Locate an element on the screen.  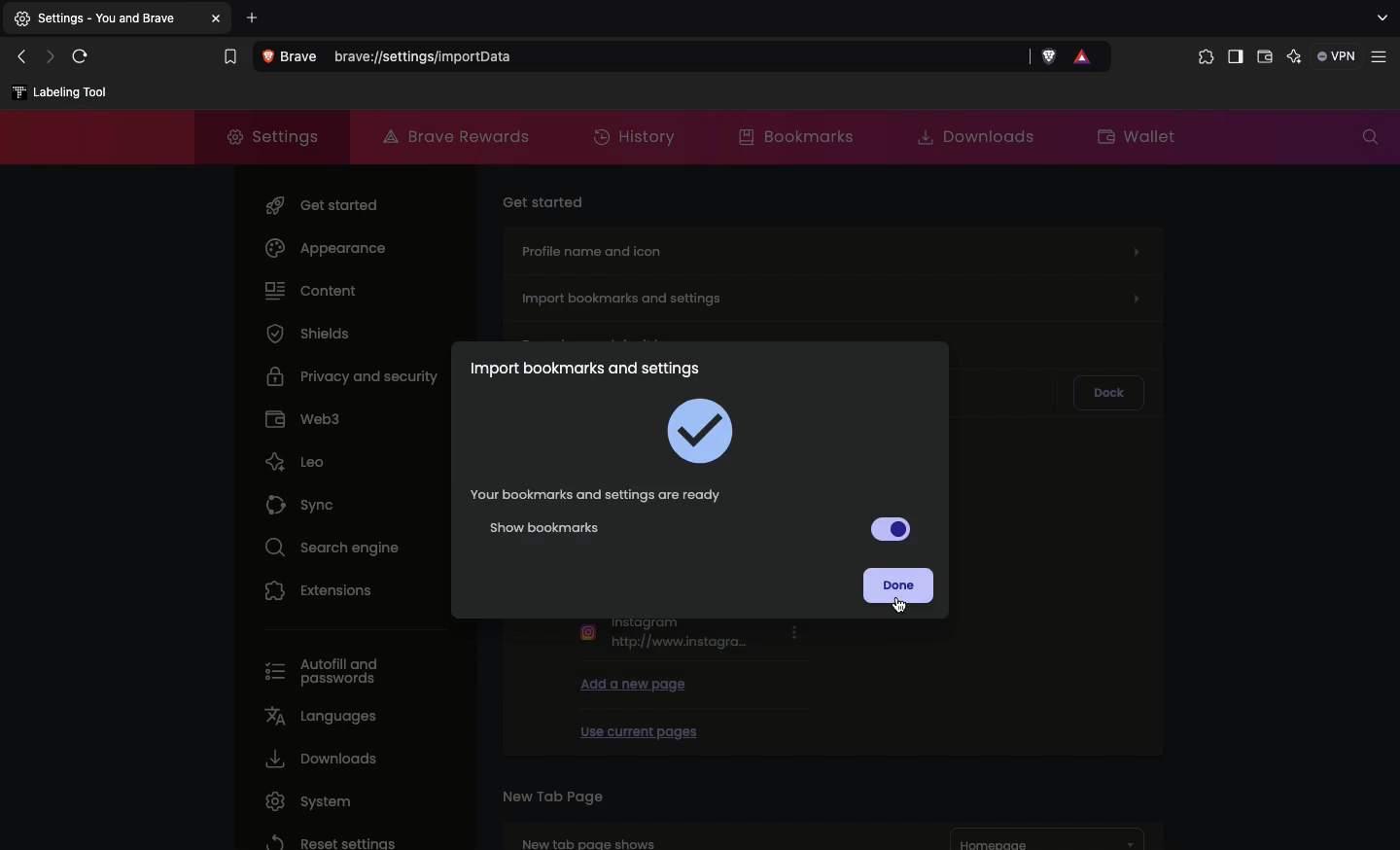
Click to go forward, hold to see history is located at coordinates (51, 55).